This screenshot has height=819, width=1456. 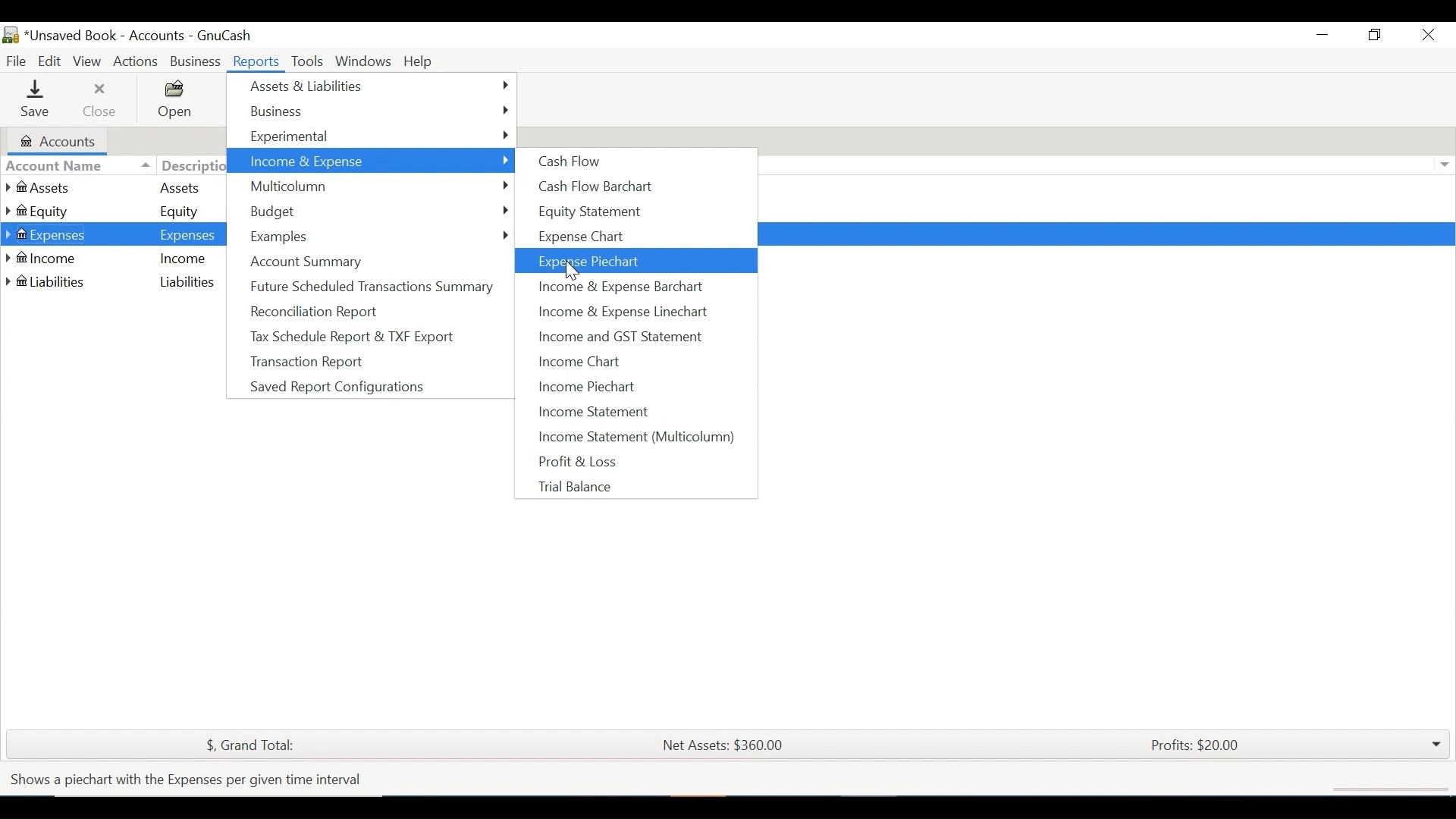 What do you see at coordinates (1442, 165) in the screenshot?
I see `Expand` at bounding box center [1442, 165].